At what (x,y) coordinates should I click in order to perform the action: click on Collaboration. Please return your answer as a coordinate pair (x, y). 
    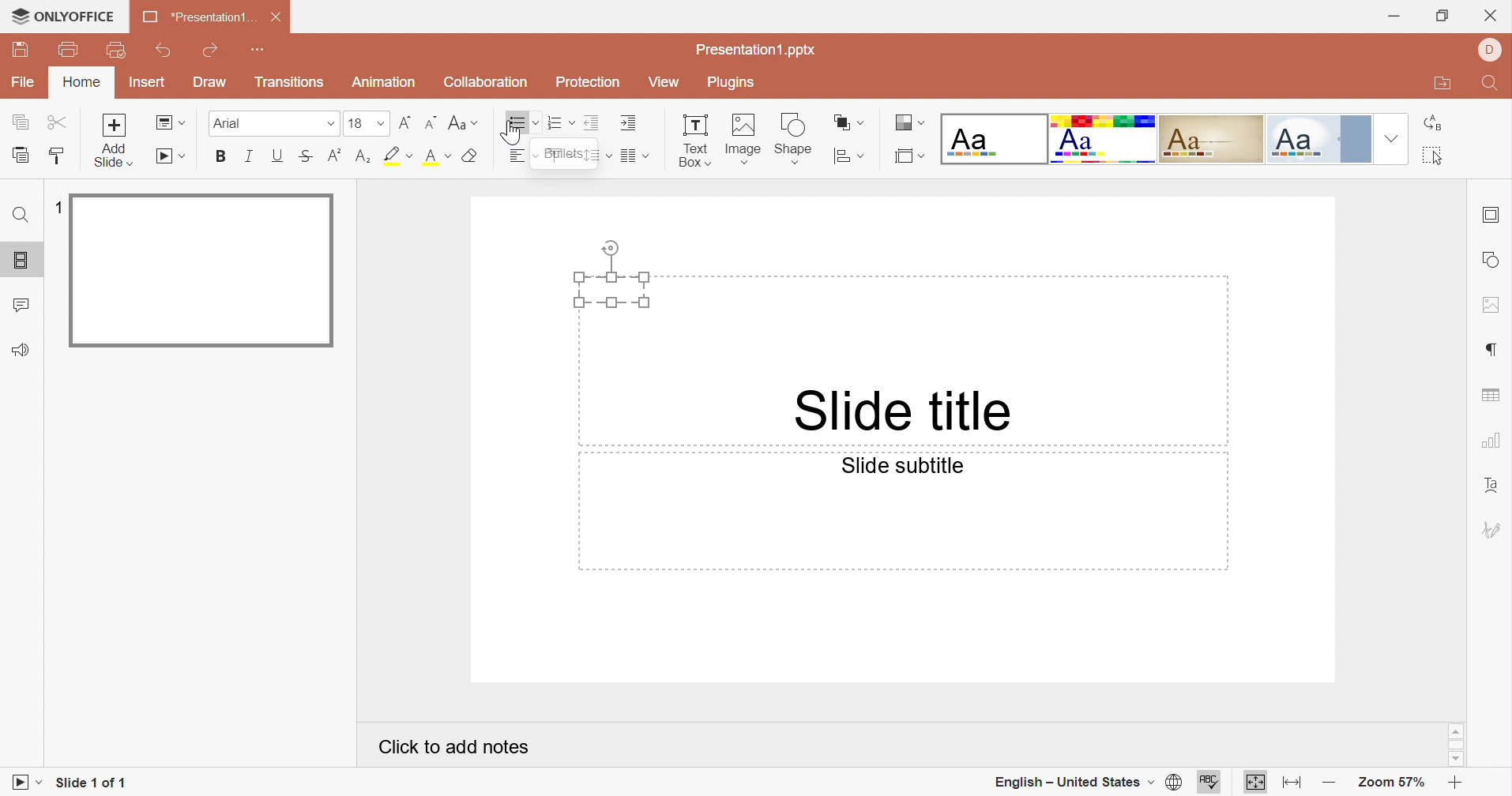
    Looking at the image, I should click on (485, 82).